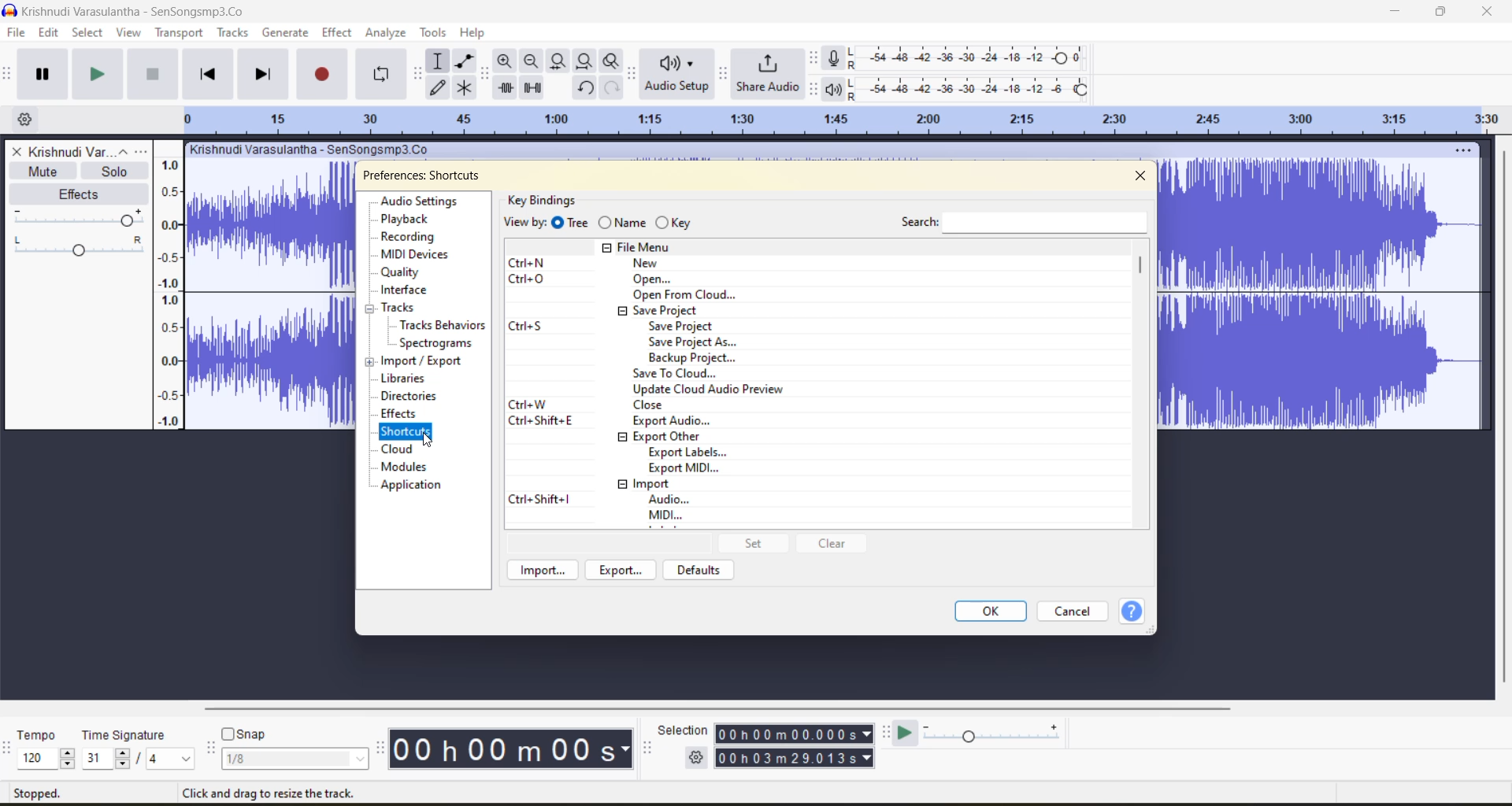 This screenshot has width=1512, height=806. Describe the element at coordinates (91, 153) in the screenshot. I see `file name` at that location.